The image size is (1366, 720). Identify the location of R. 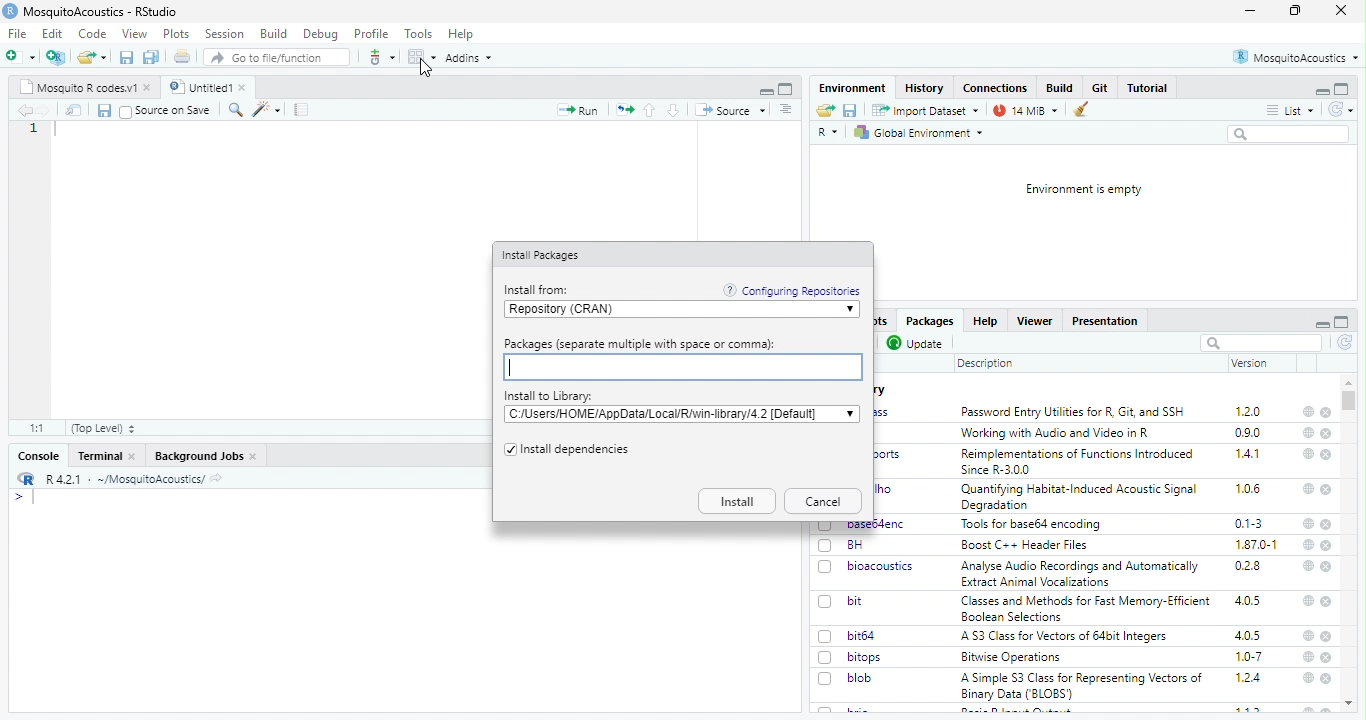
(828, 133).